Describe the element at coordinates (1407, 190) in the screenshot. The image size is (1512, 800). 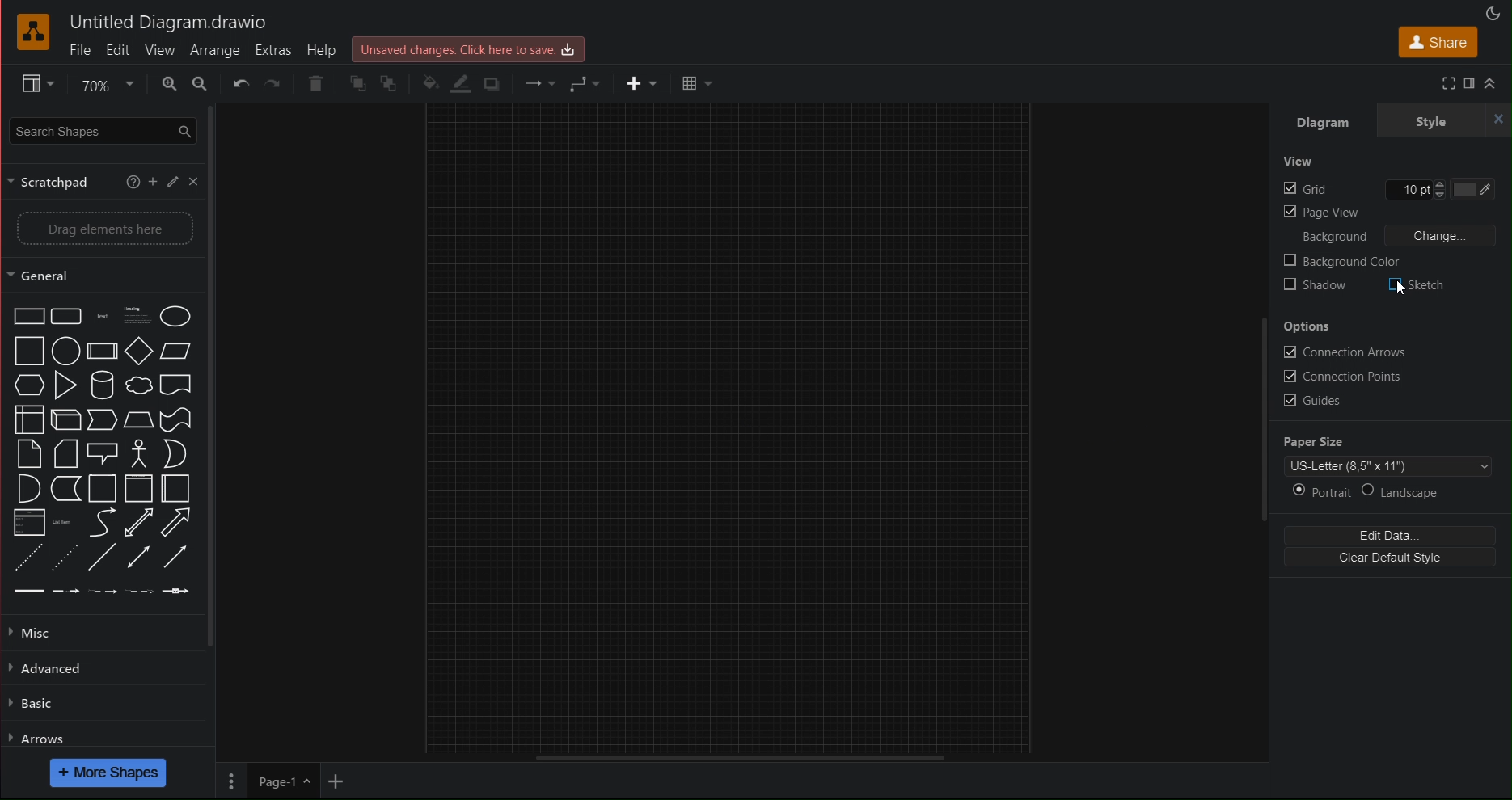
I see `edit Grid pt` at that location.